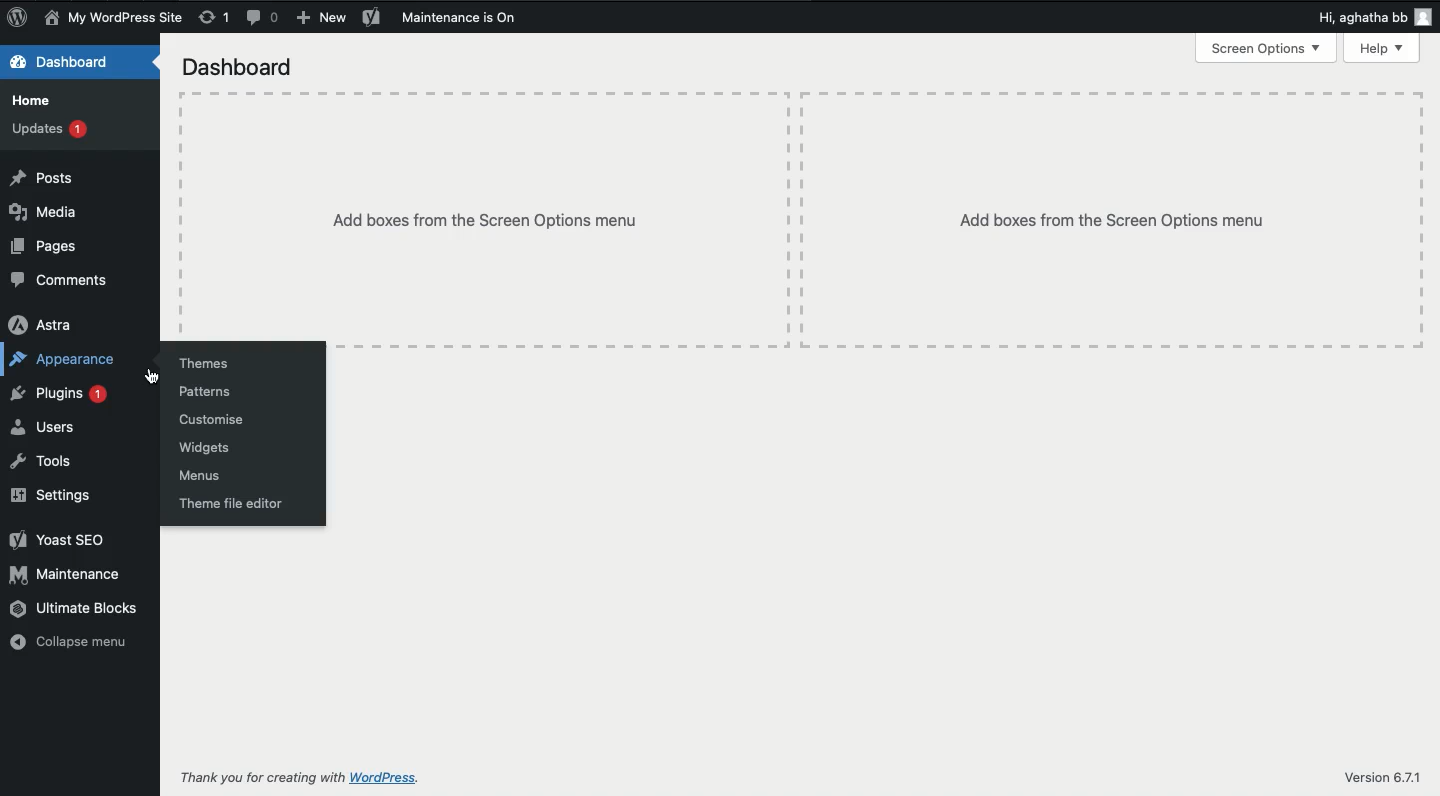 The width and height of the screenshot is (1440, 796). Describe the element at coordinates (205, 391) in the screenshot. I see `Patterns` at that location.